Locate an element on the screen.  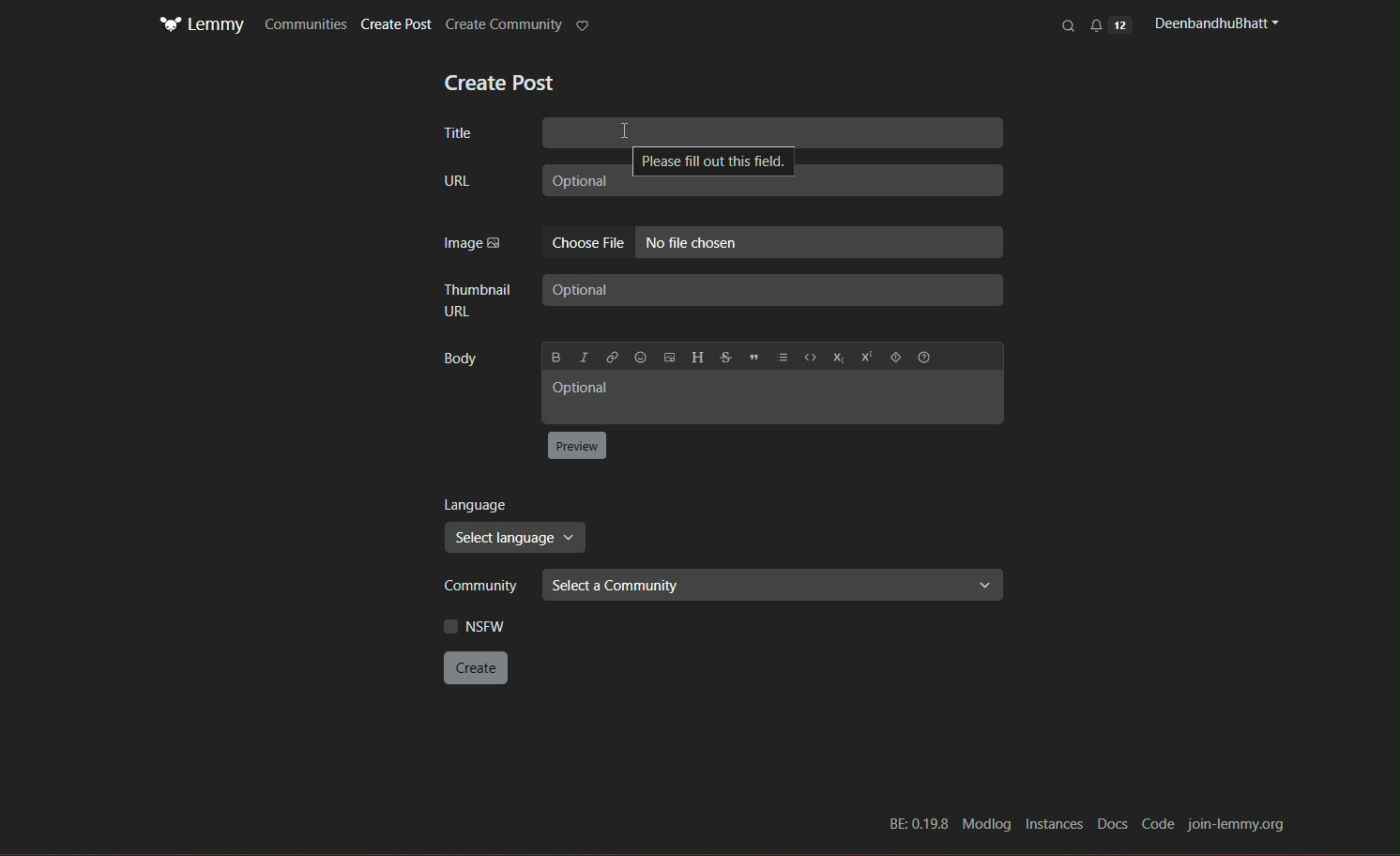
Upload image is located at coordinates (667, 356).